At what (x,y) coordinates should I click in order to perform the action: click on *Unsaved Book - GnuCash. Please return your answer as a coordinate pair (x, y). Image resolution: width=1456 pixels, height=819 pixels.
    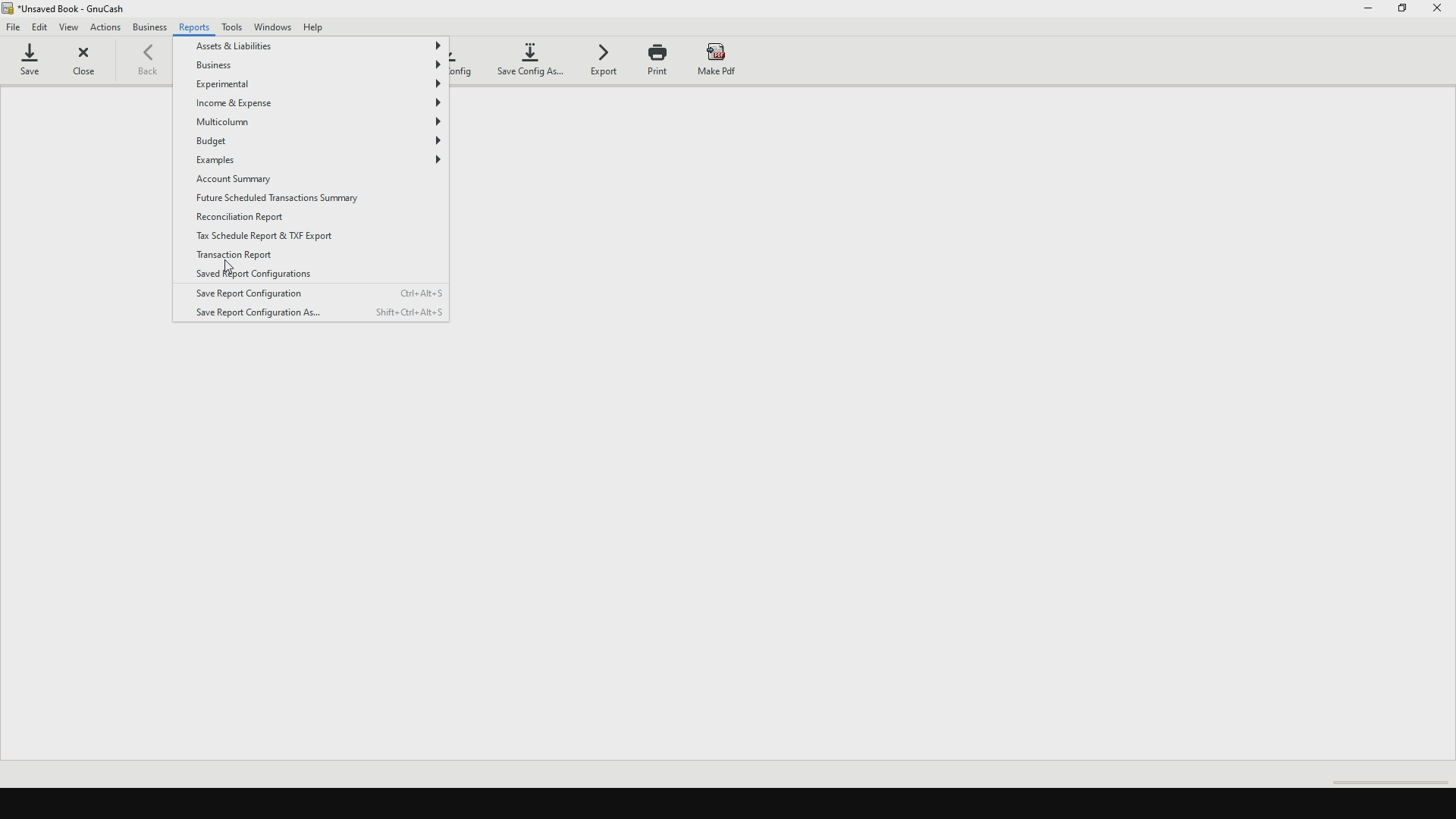
    Looking at the image, I should click on (78, 9).